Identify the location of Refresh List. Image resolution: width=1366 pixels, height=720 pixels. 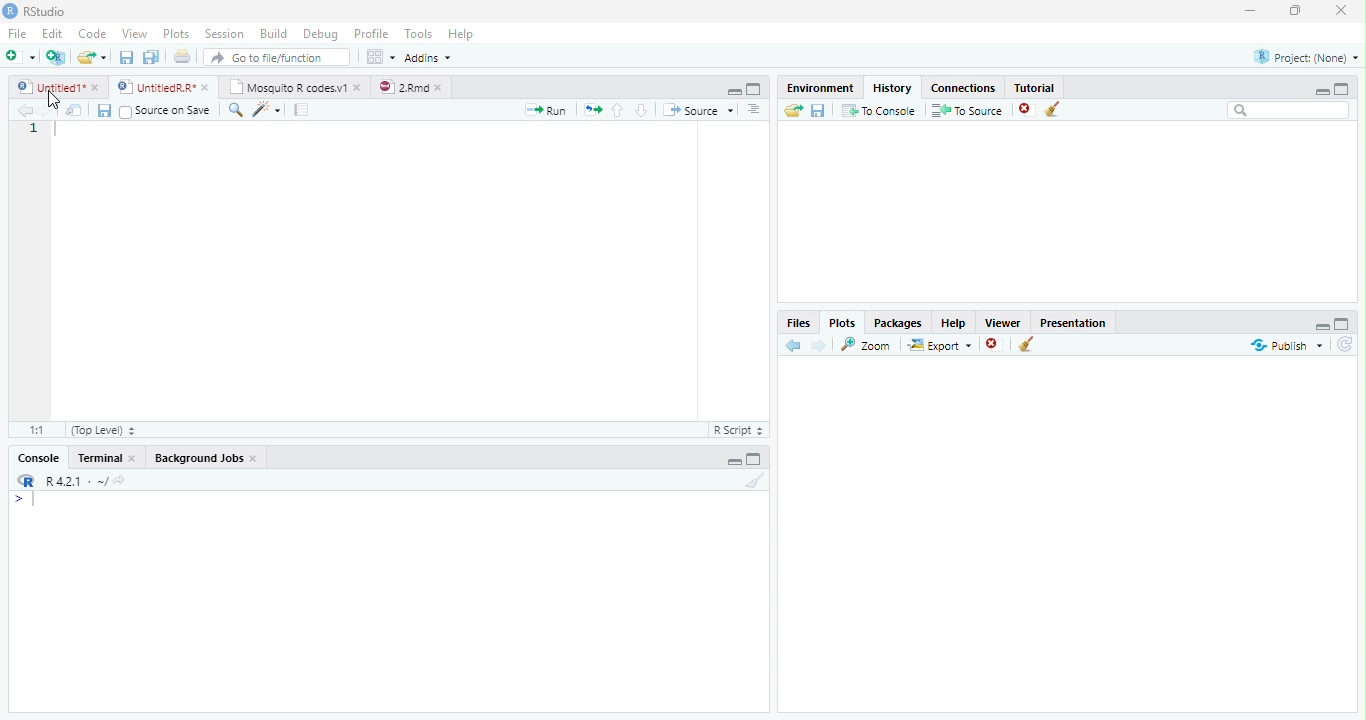
(1344, 345).